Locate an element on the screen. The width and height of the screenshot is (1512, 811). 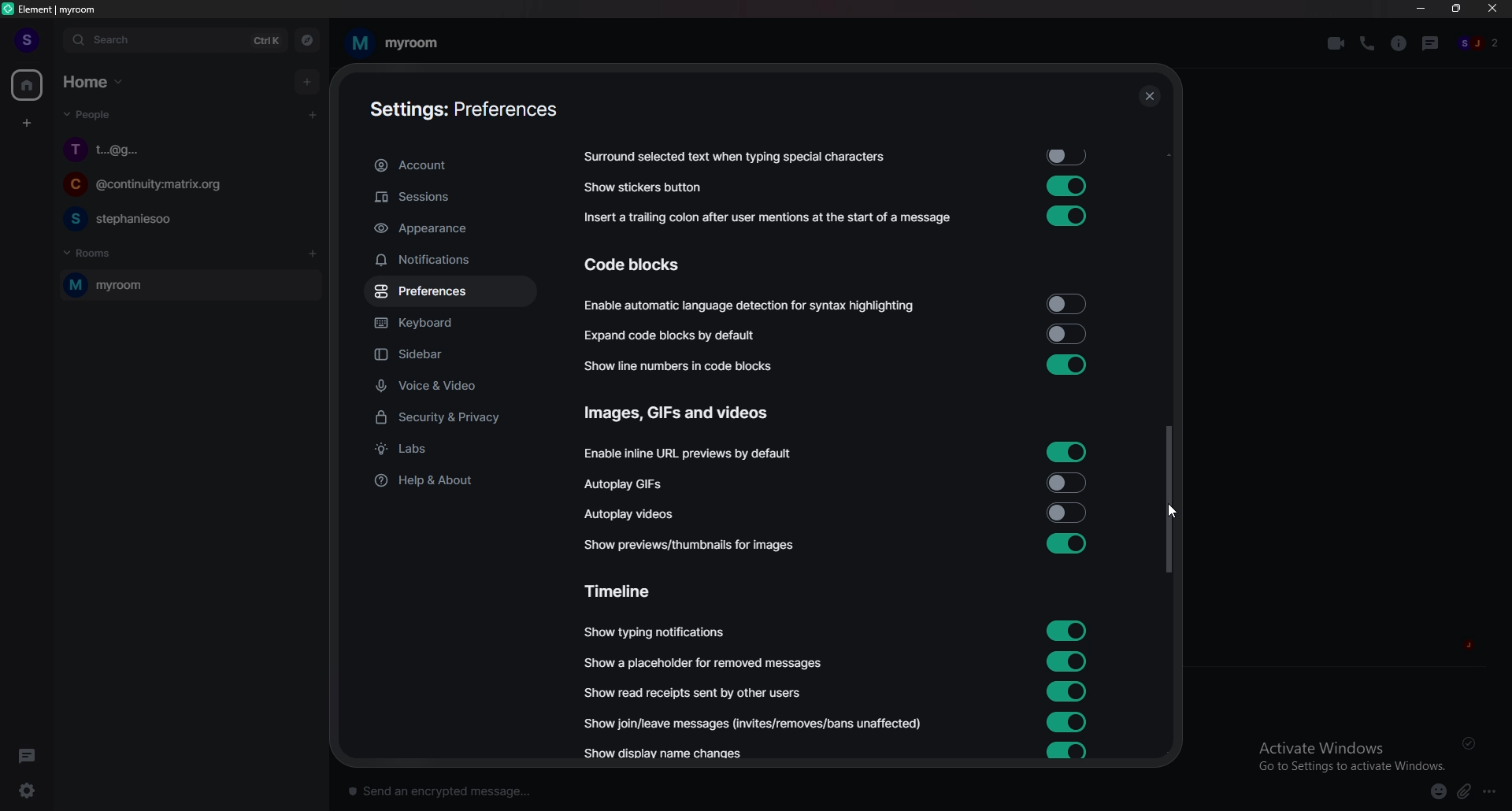
toggle is located at coordinates (1066, 544).